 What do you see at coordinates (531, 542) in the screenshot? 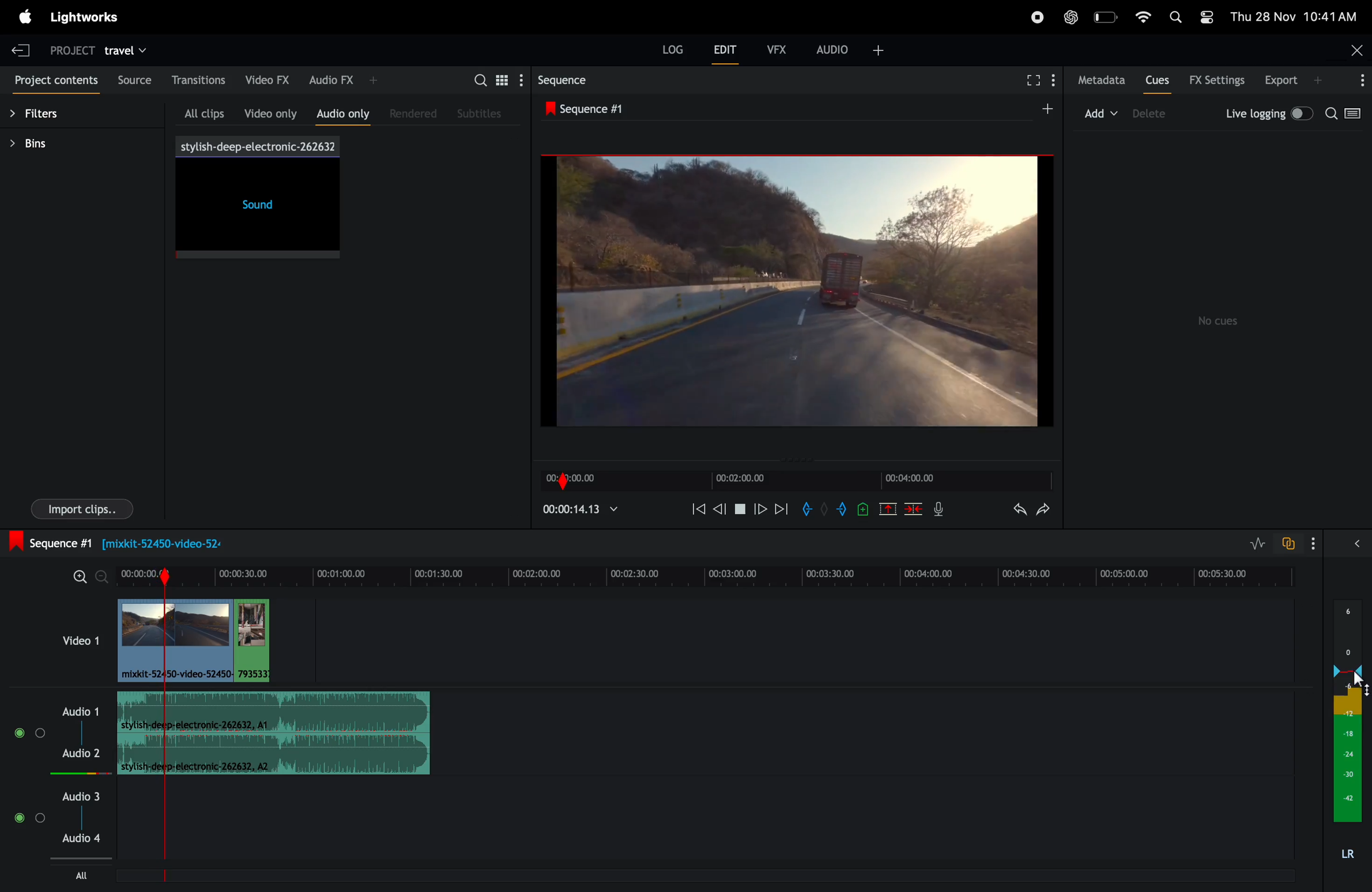
I see `sequence 1: Information` at bounding box center [531, 542].